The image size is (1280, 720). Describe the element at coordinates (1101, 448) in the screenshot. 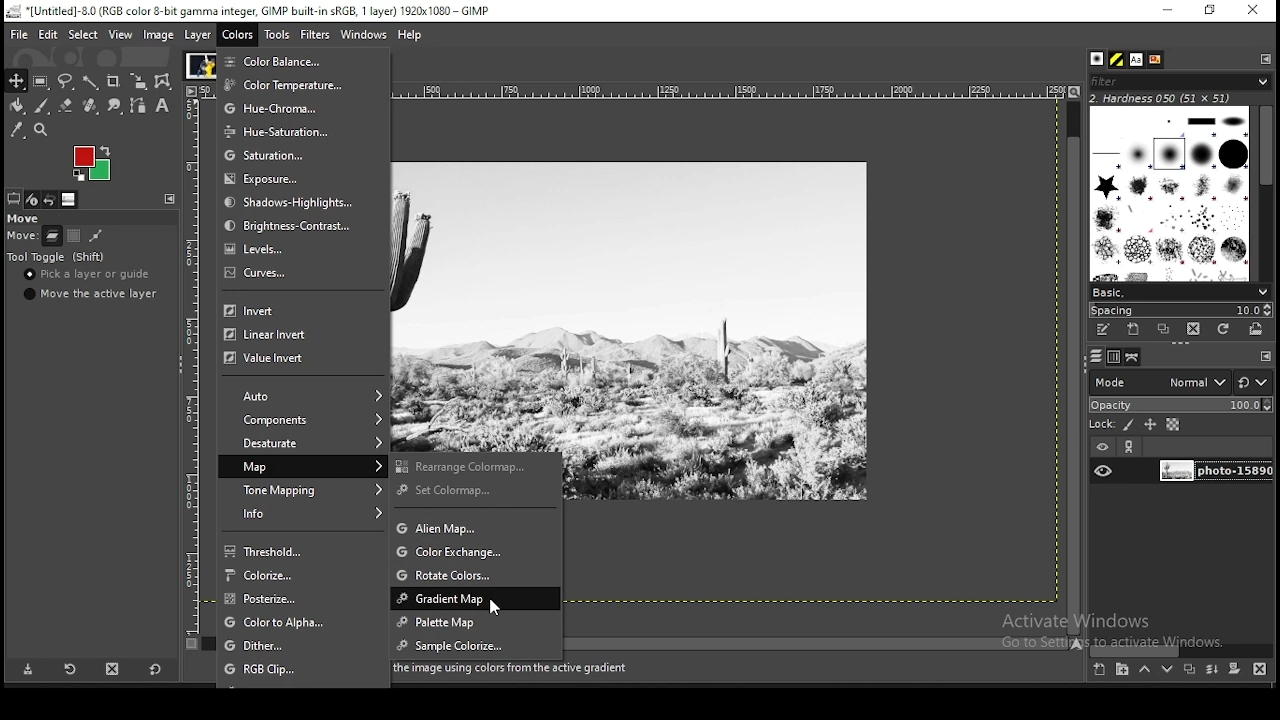

I see `layer visibility` at that location.